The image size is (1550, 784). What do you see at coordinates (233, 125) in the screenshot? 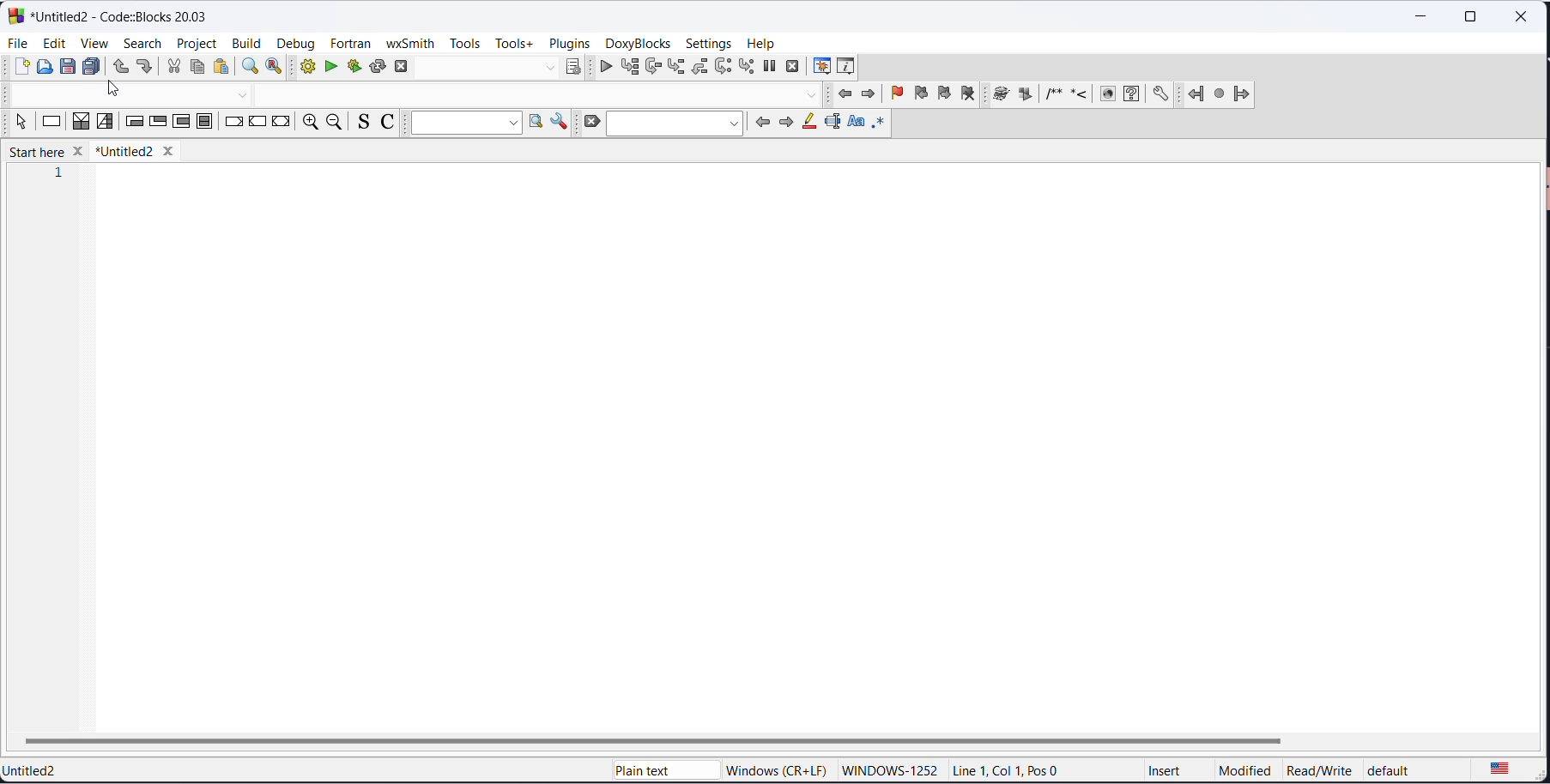
I see `break instruction` at bounding box center [233, 125].